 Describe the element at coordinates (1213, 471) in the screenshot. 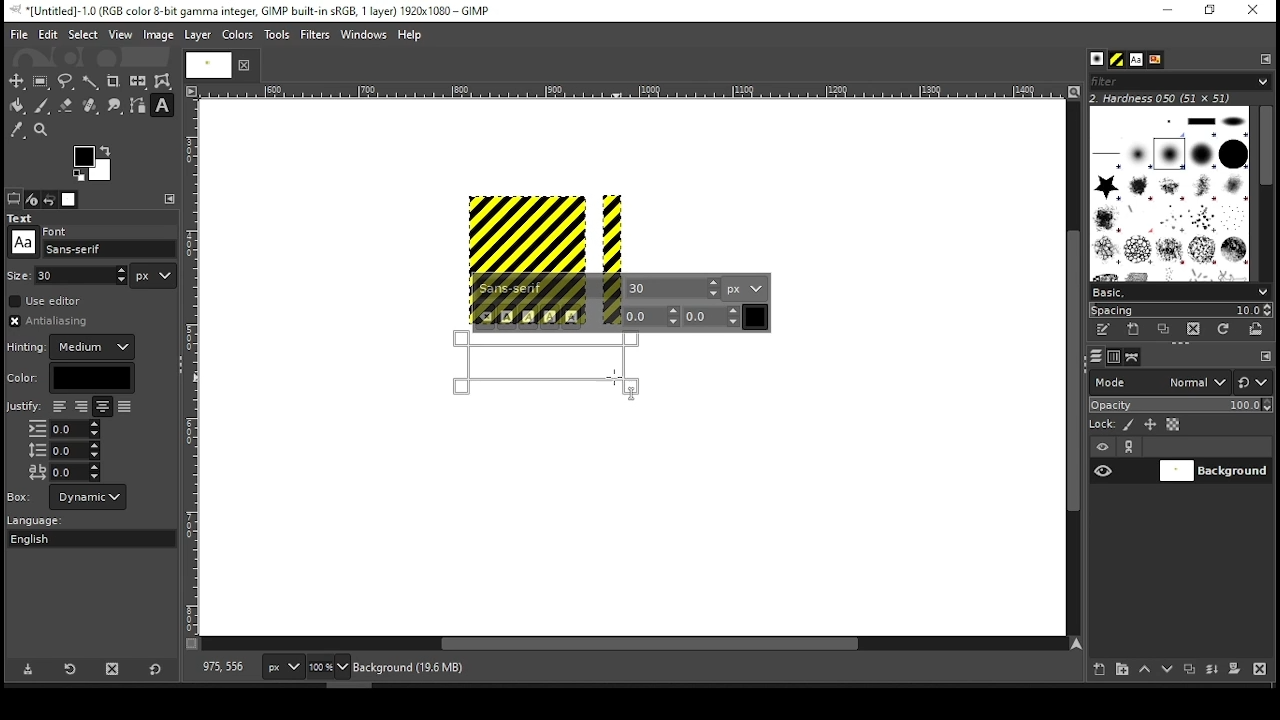

I see `layer ` at that location.